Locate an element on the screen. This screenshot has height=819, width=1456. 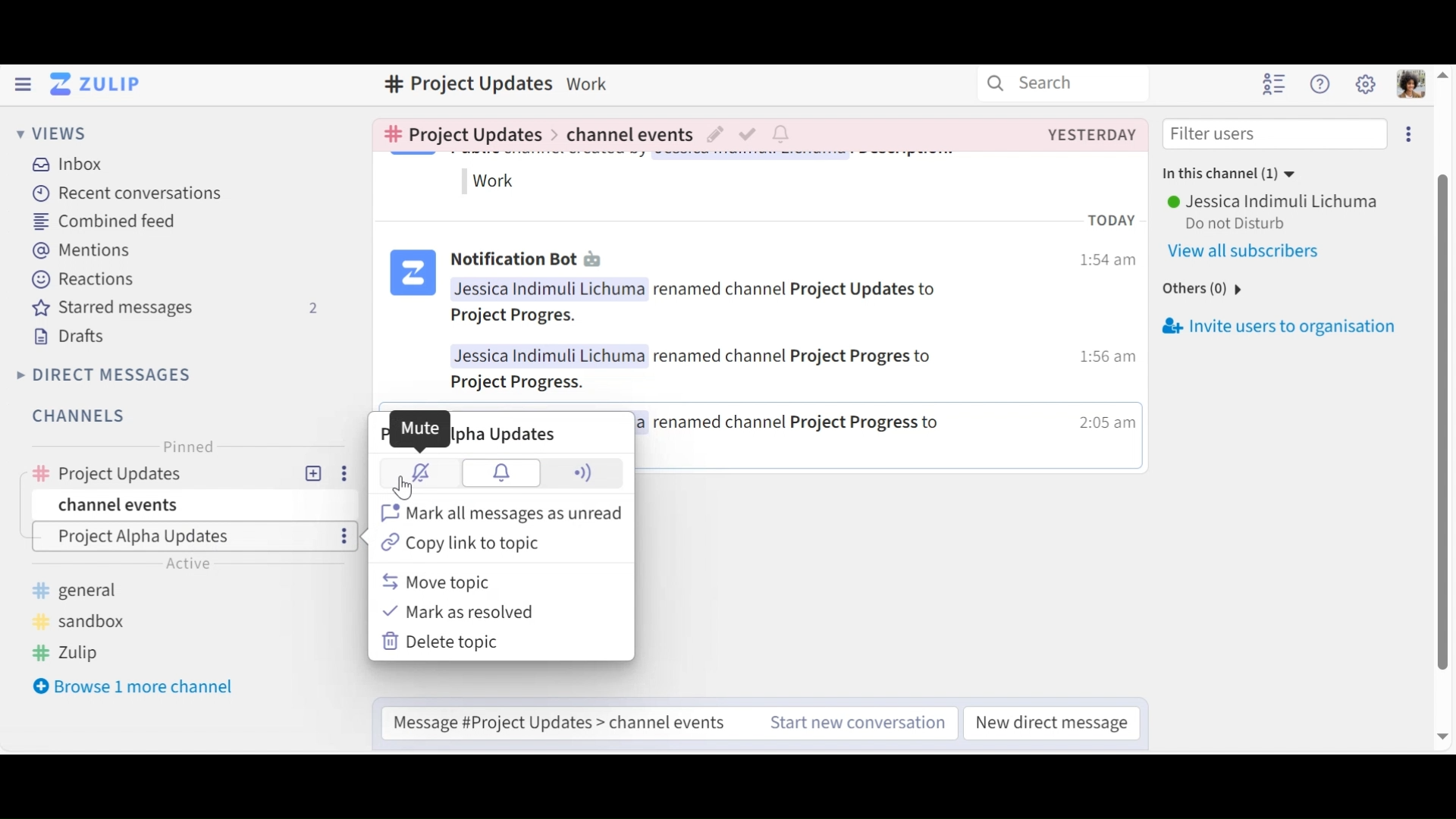
work is located at coordinates (496, 182).